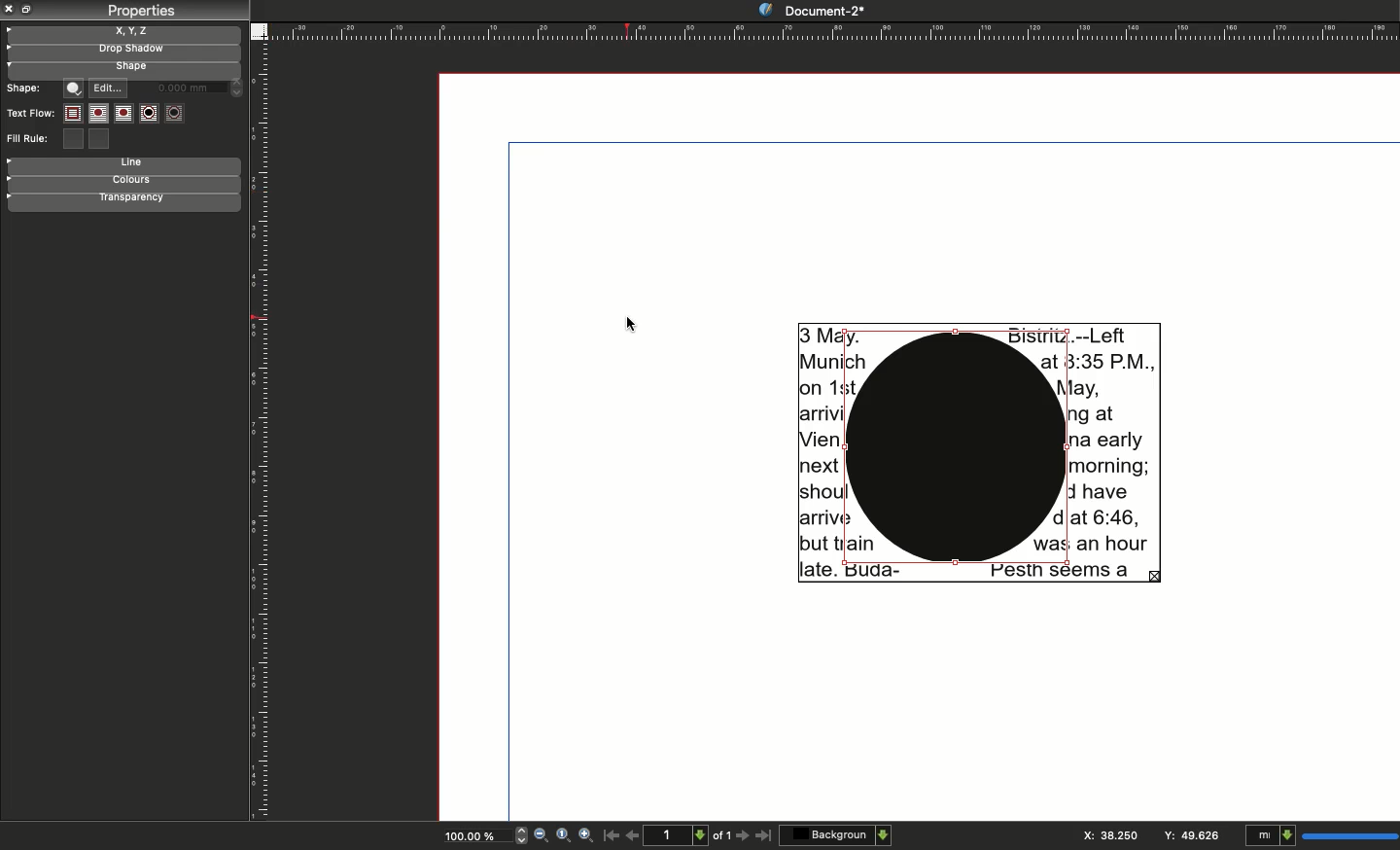  What do you see at coordinates (127, 67) in the screenshot?
I see `Shape` at bounding box center [127, 67].